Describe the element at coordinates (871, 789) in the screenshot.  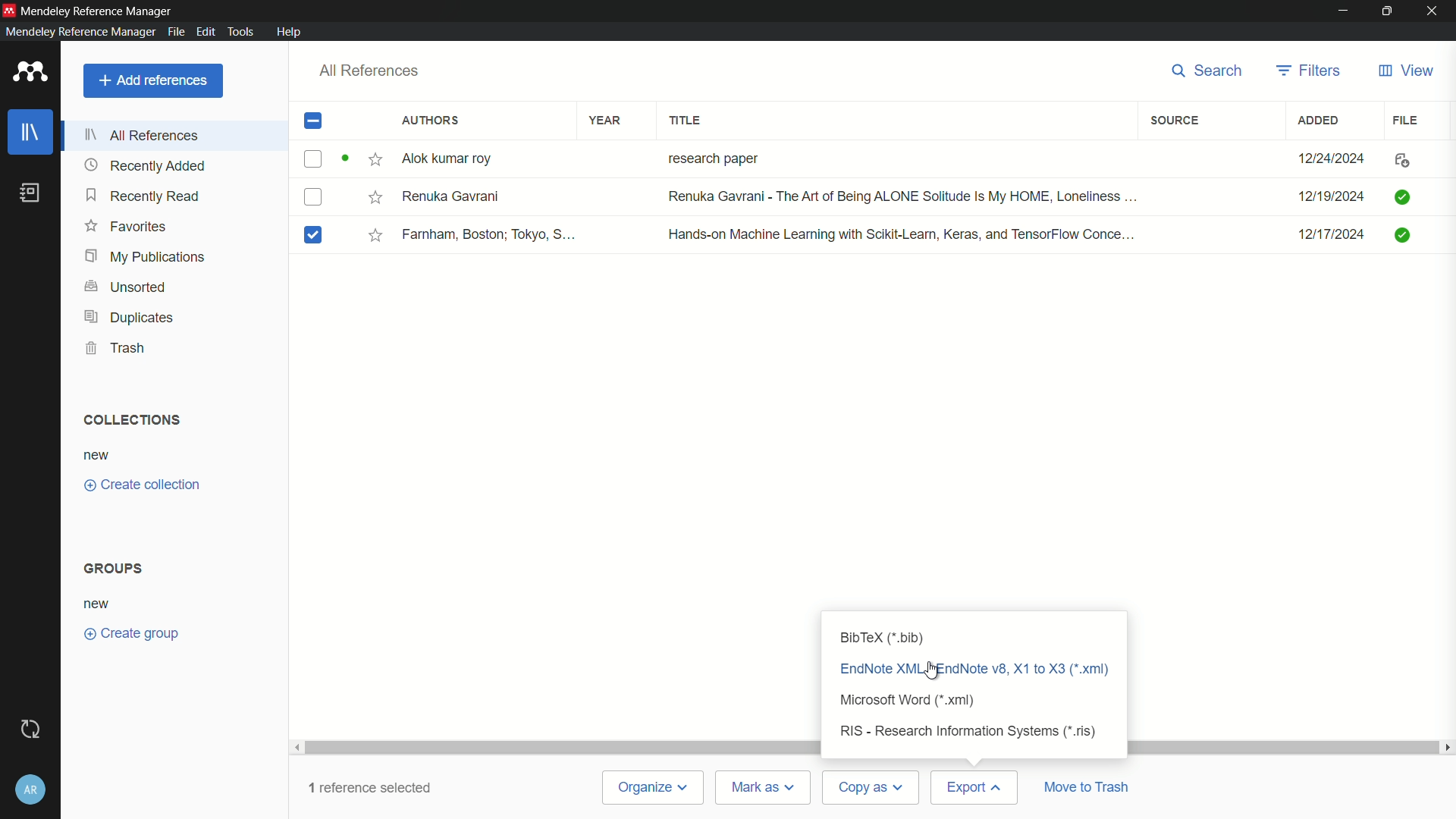
I see `copy as` at that location.